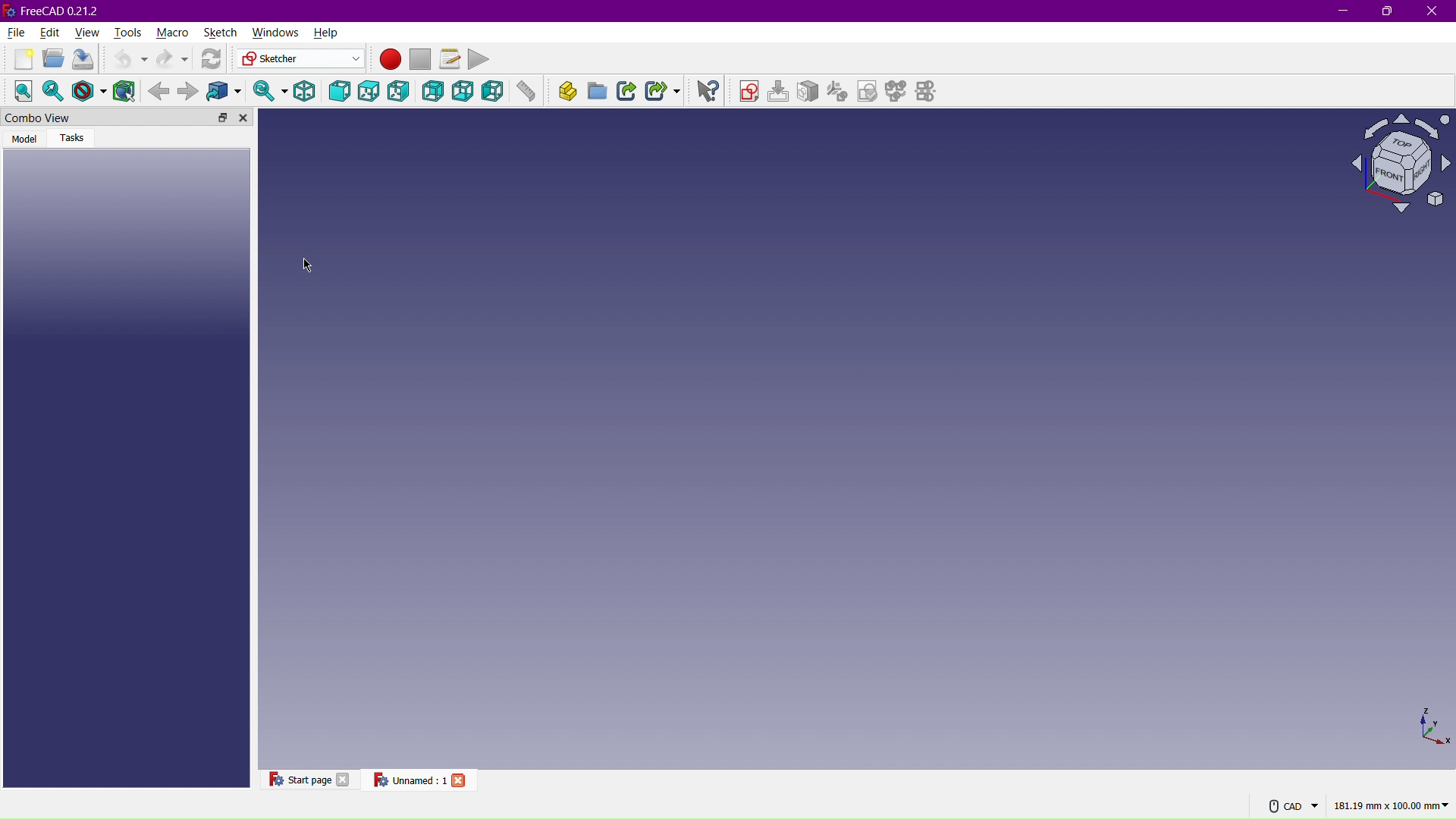 This screenshot has width=1456, height=819. Describe the element at coordinates (158, 89) in the screenshot. I see `Background` at that location.